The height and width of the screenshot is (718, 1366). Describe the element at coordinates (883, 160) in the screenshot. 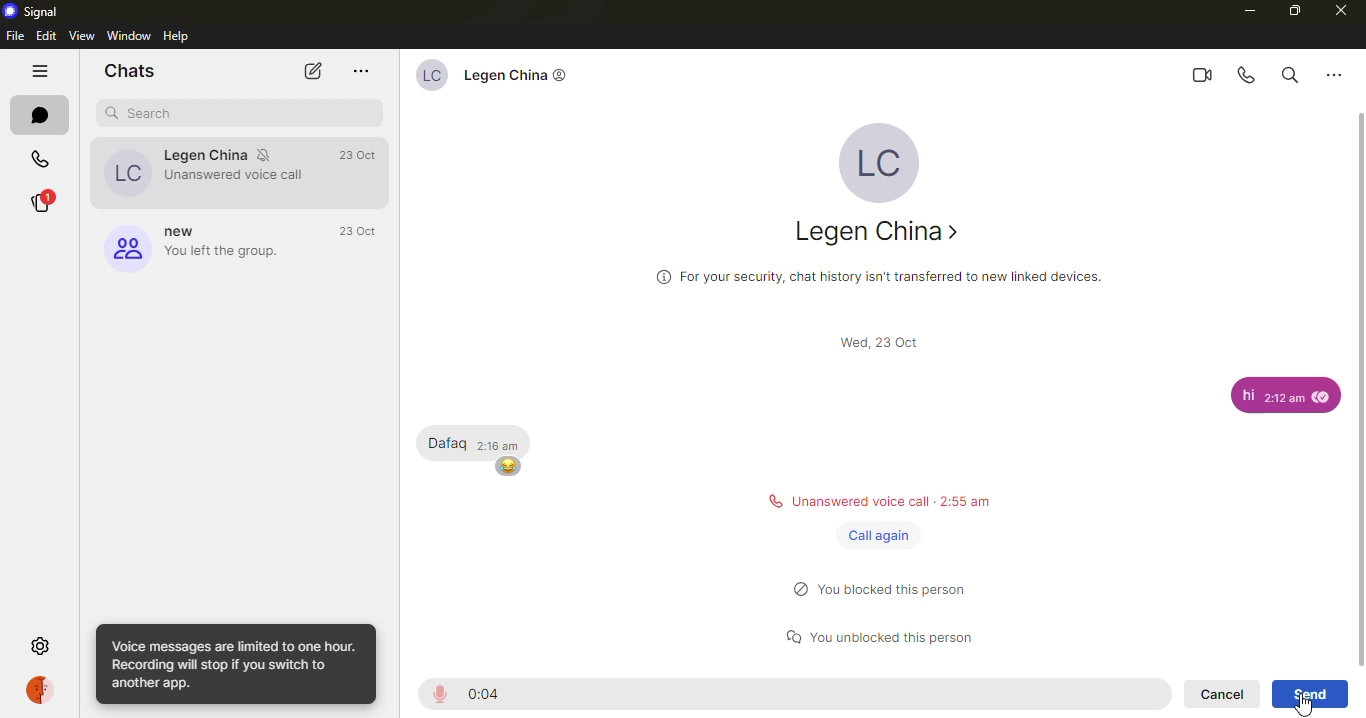

I see `profile pic` at that location.